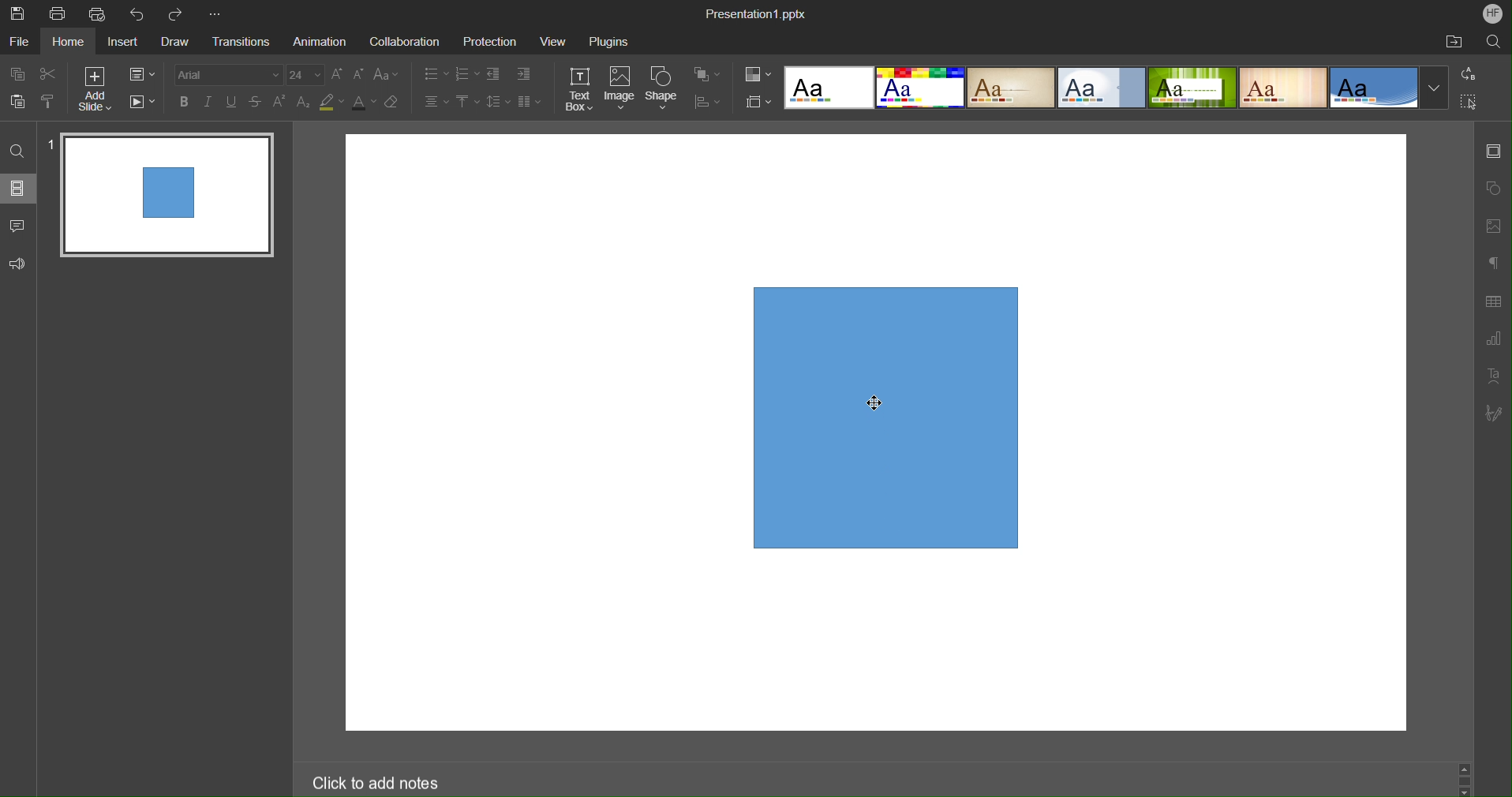 The image size is (1512, 797). What do you see at coordinates (709, 102) in the screenshot?
I see `Align` at bounding box center [709, 102].